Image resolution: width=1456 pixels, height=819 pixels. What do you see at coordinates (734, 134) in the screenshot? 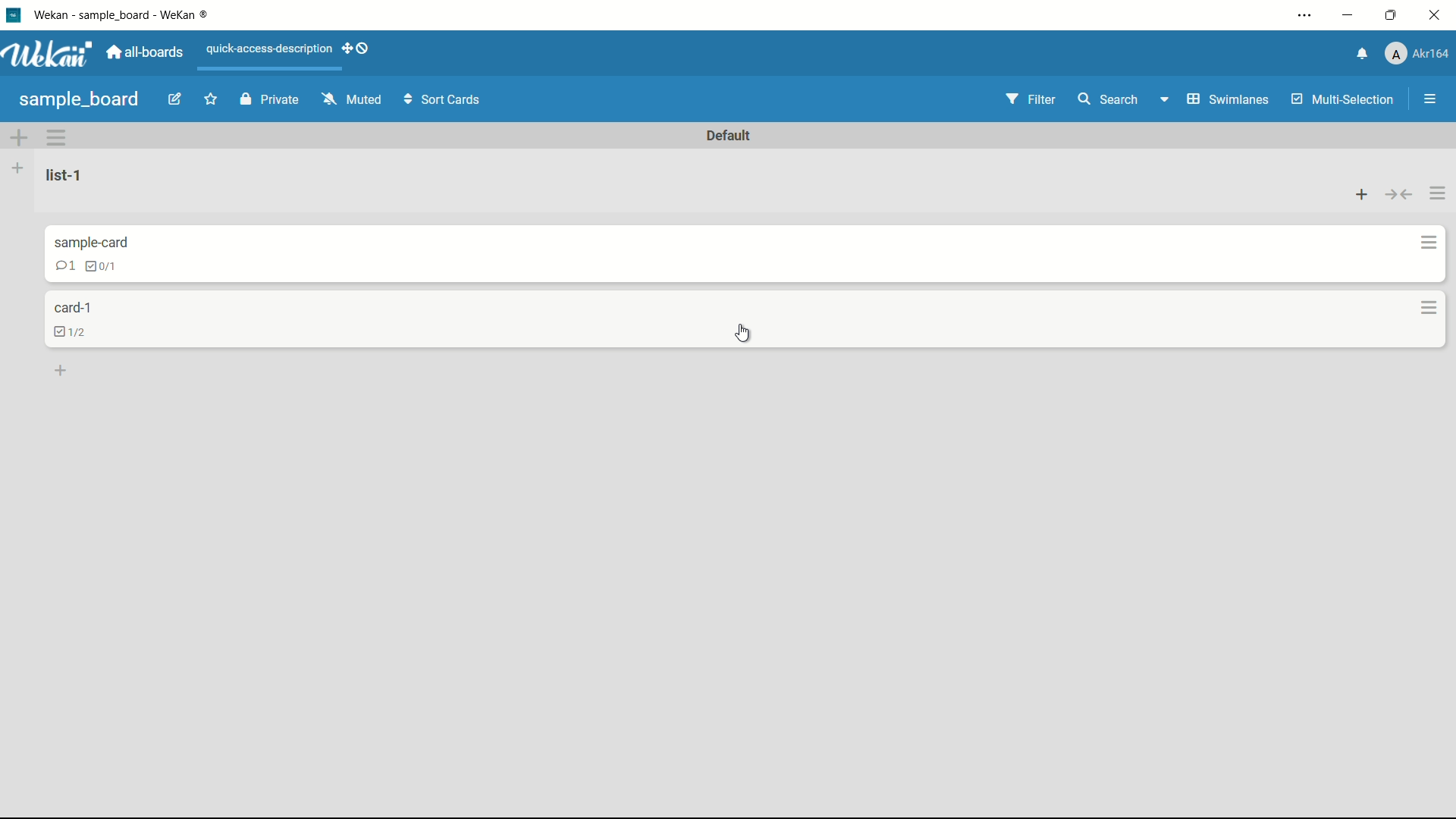
I see `default` at bounding box center [734, 134].